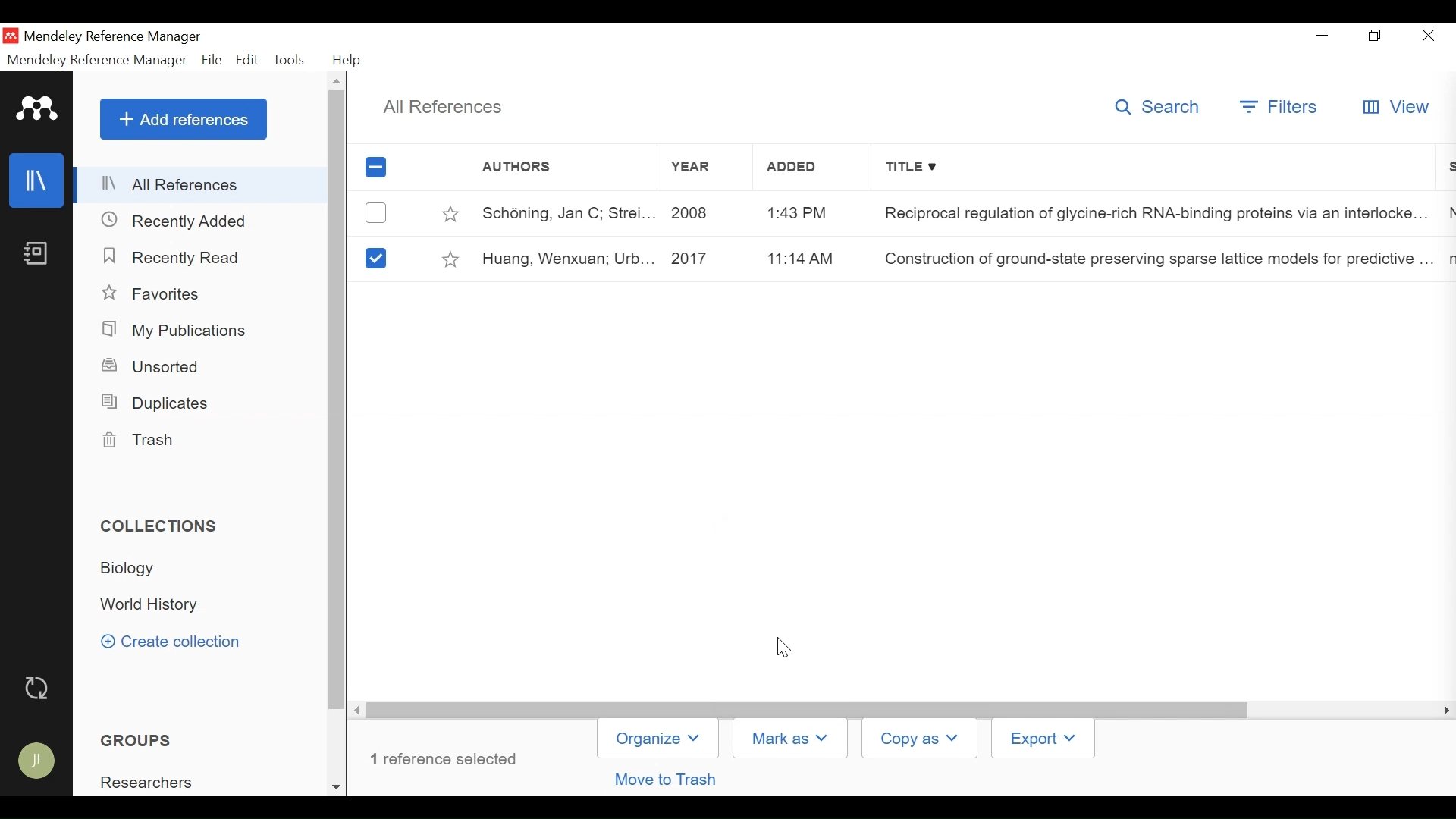 The width and height of the screenshot is (1456, 819). I want to click on Collection, so click(165, 605).